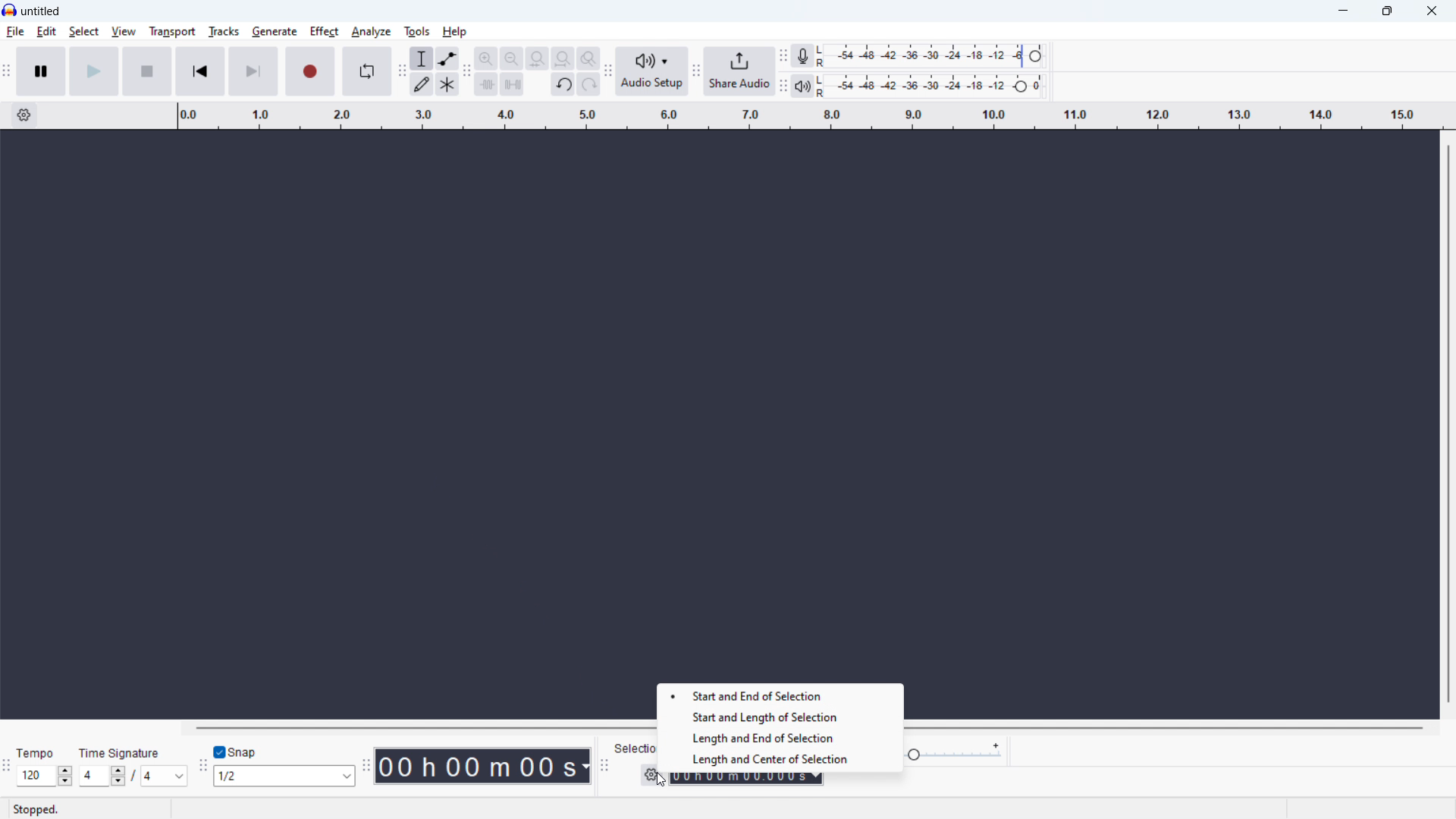 The width and height of the screenshot is (1456, 819). I want to click on end time, so click(746, 779).